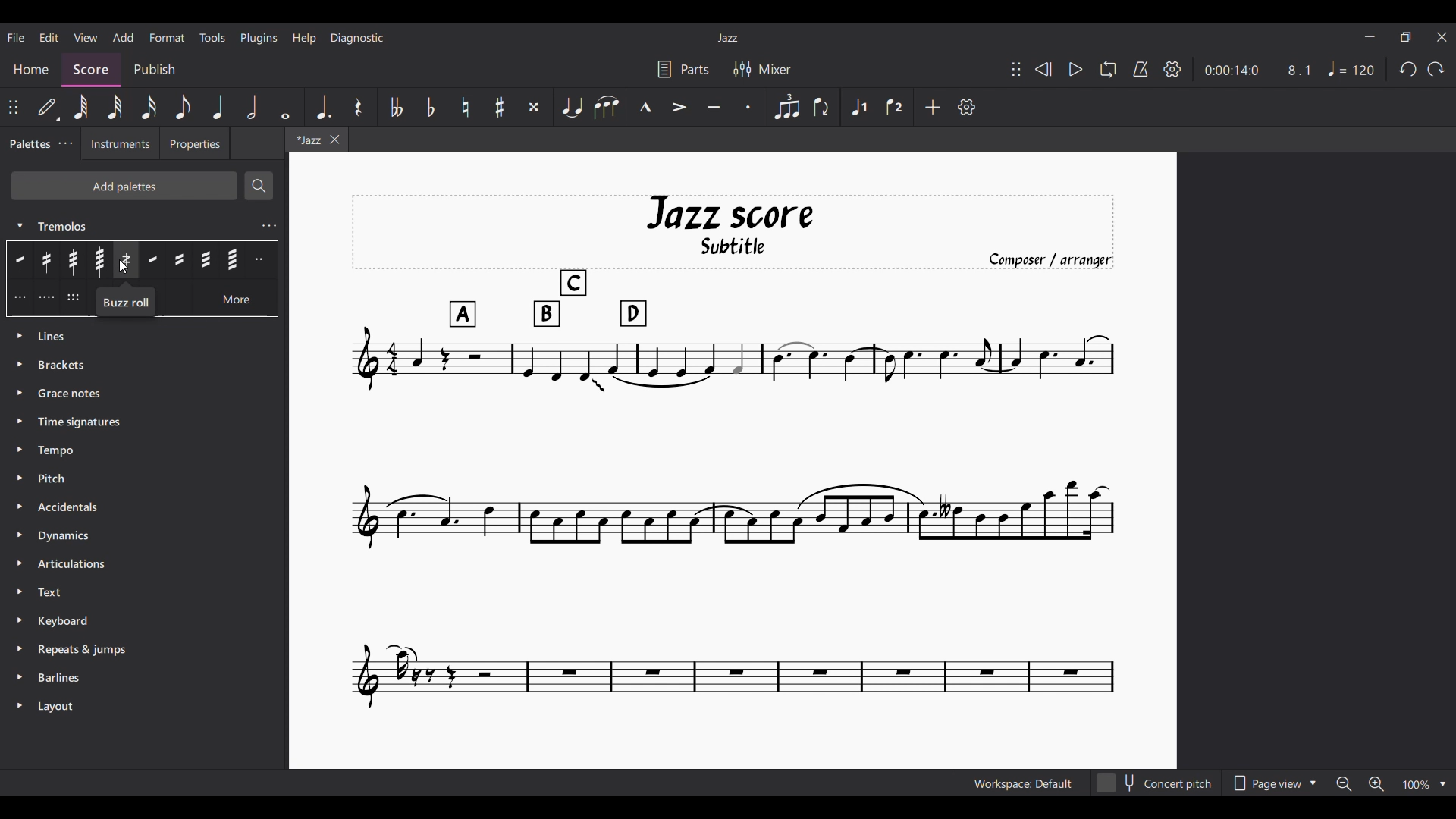 The image size is (1456, 819). Describe the element at coordinates (733, 452) in the screenshot. I see `Current score` at that location.